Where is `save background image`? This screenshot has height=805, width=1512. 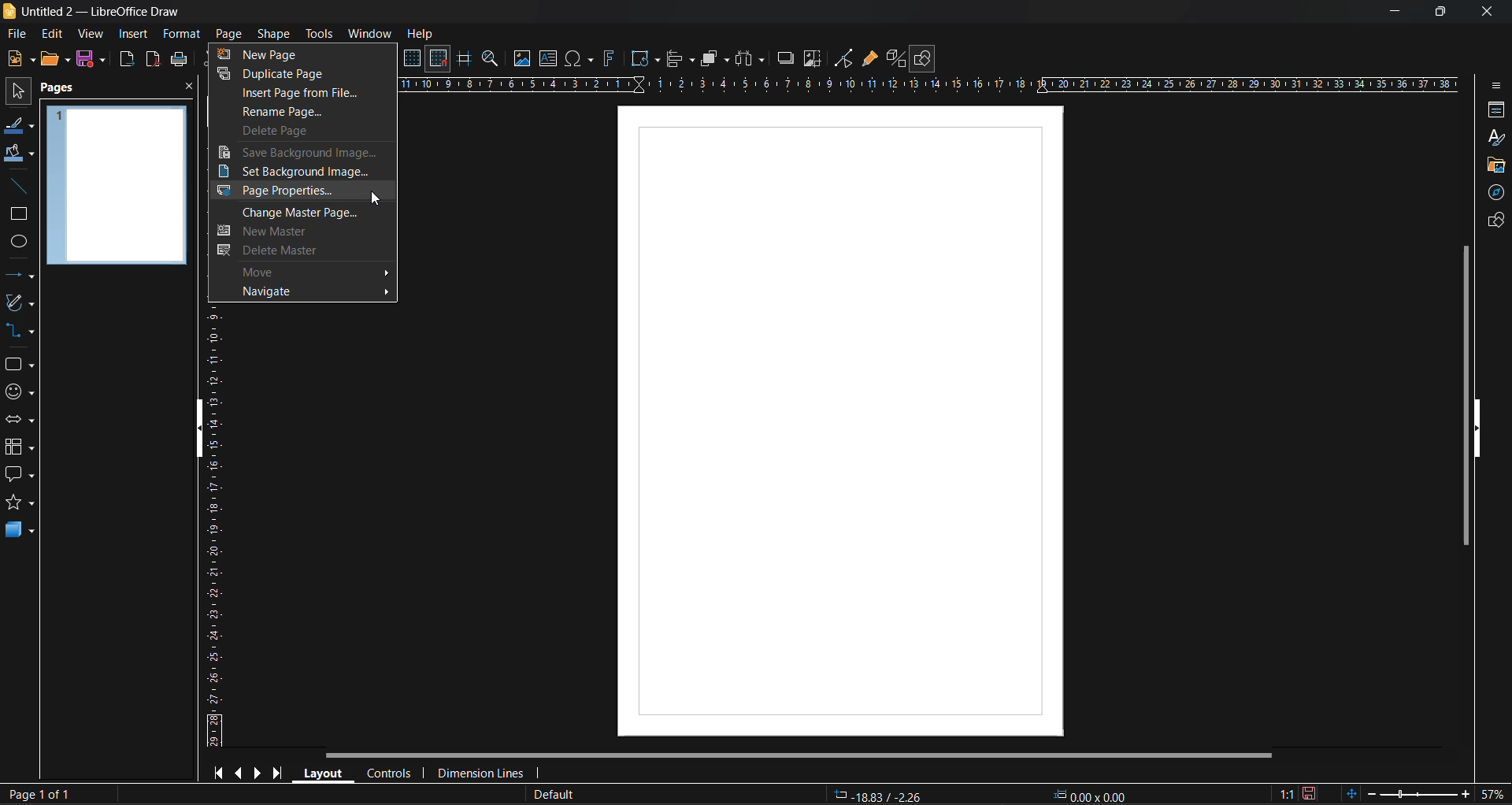
save background image is located at coordinates (302, 154).